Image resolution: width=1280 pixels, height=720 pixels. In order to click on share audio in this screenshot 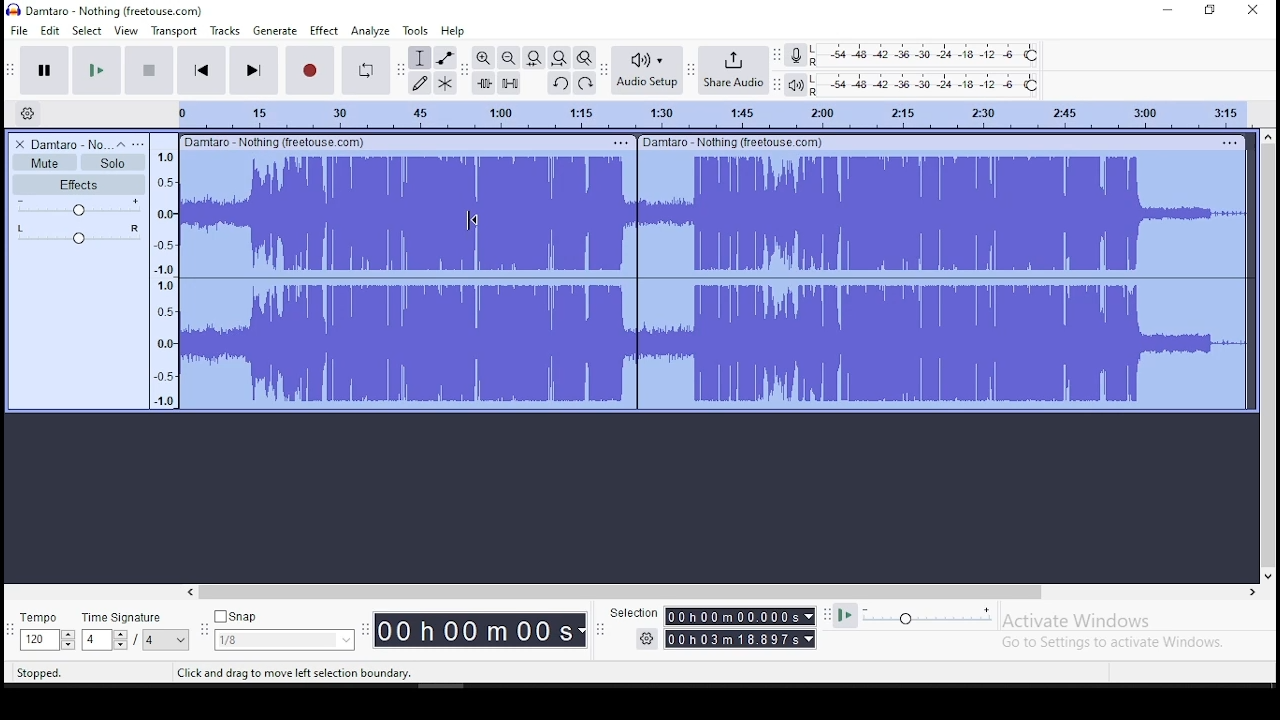, I will do `click(732, 72)`.